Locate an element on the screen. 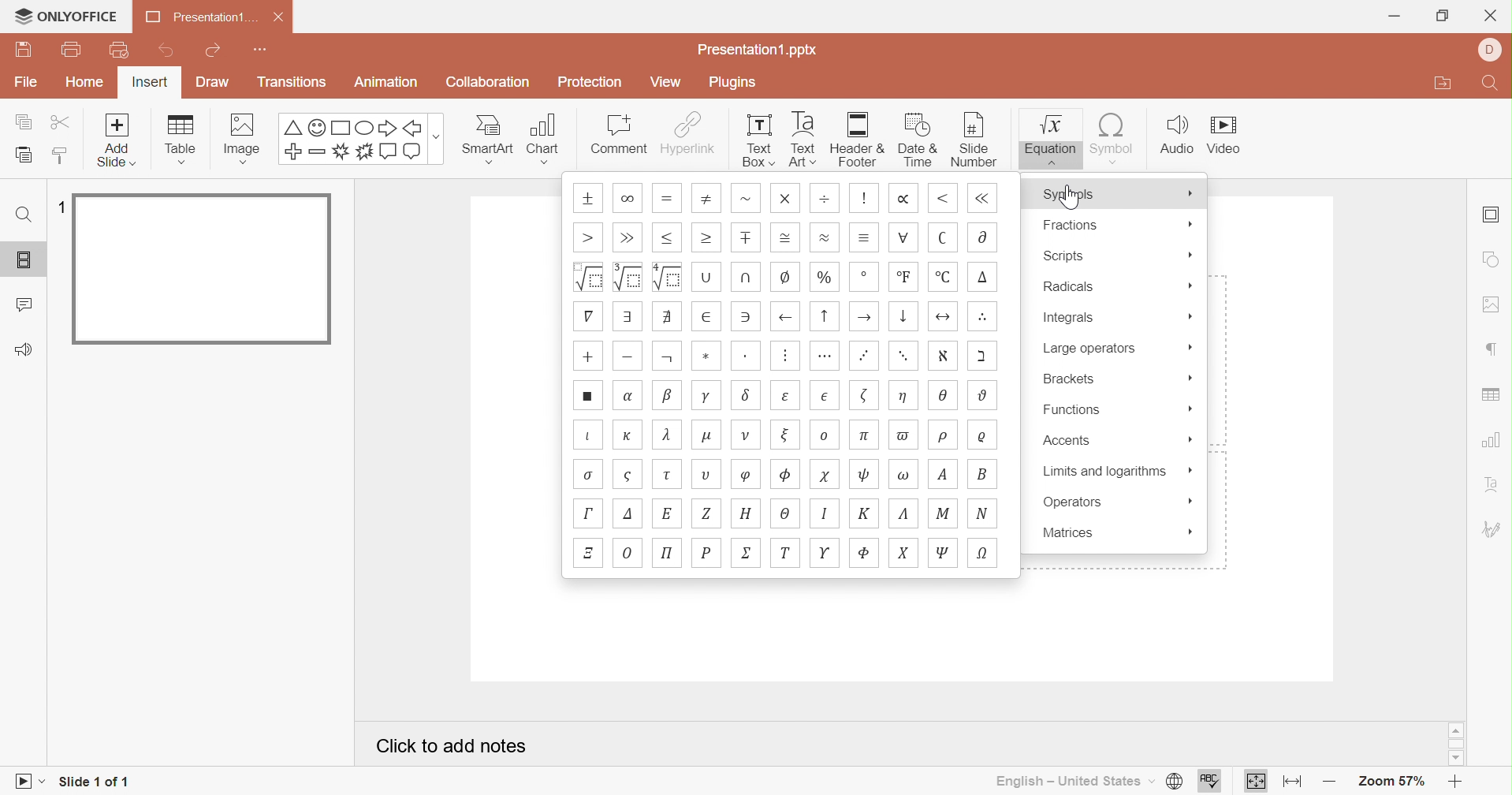 This screenshot has width=1512, height=795. Operators is located at coordinates (1118, 500).